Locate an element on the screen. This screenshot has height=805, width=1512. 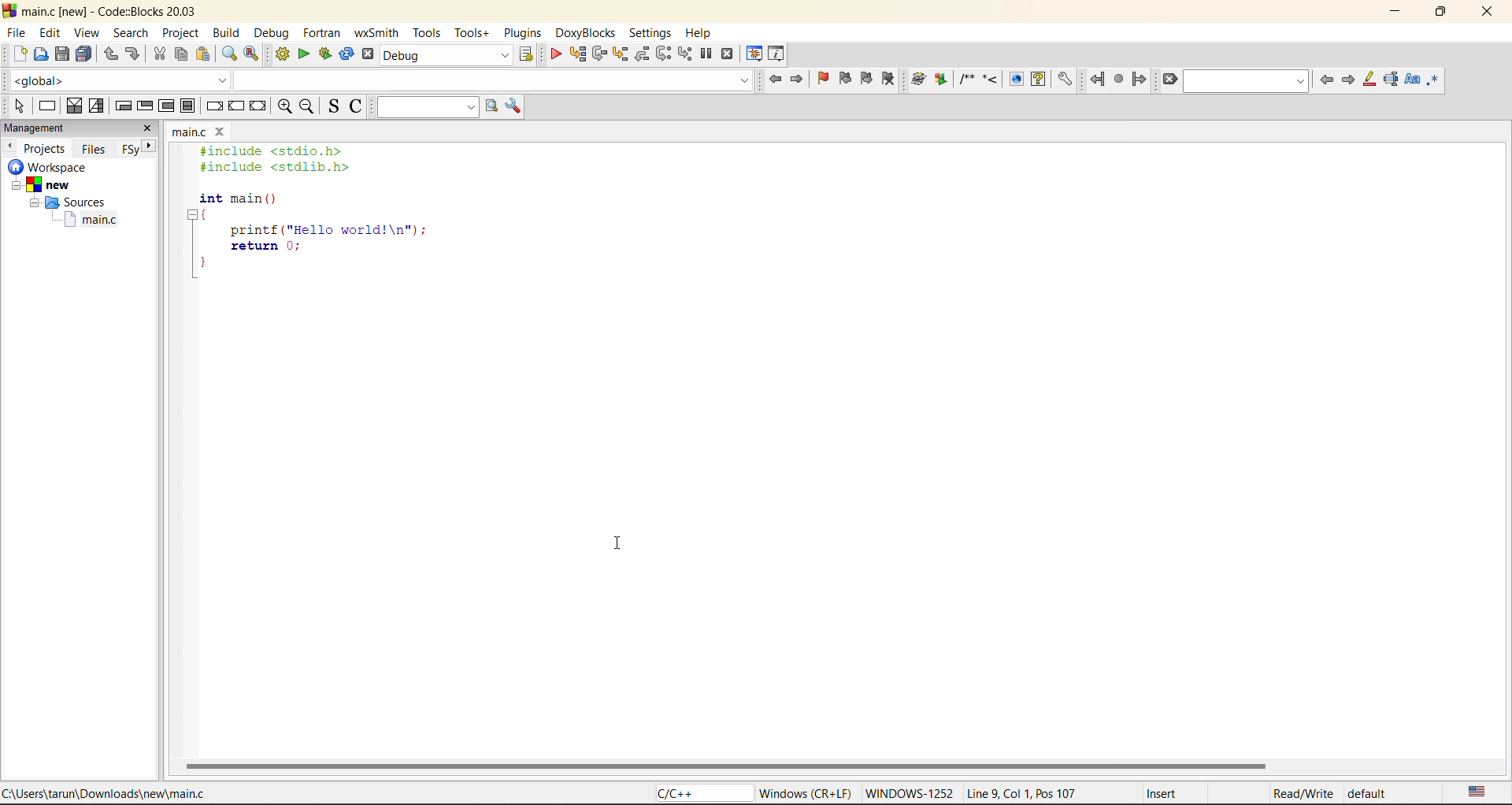
search is located at coordinates (1247, 82).